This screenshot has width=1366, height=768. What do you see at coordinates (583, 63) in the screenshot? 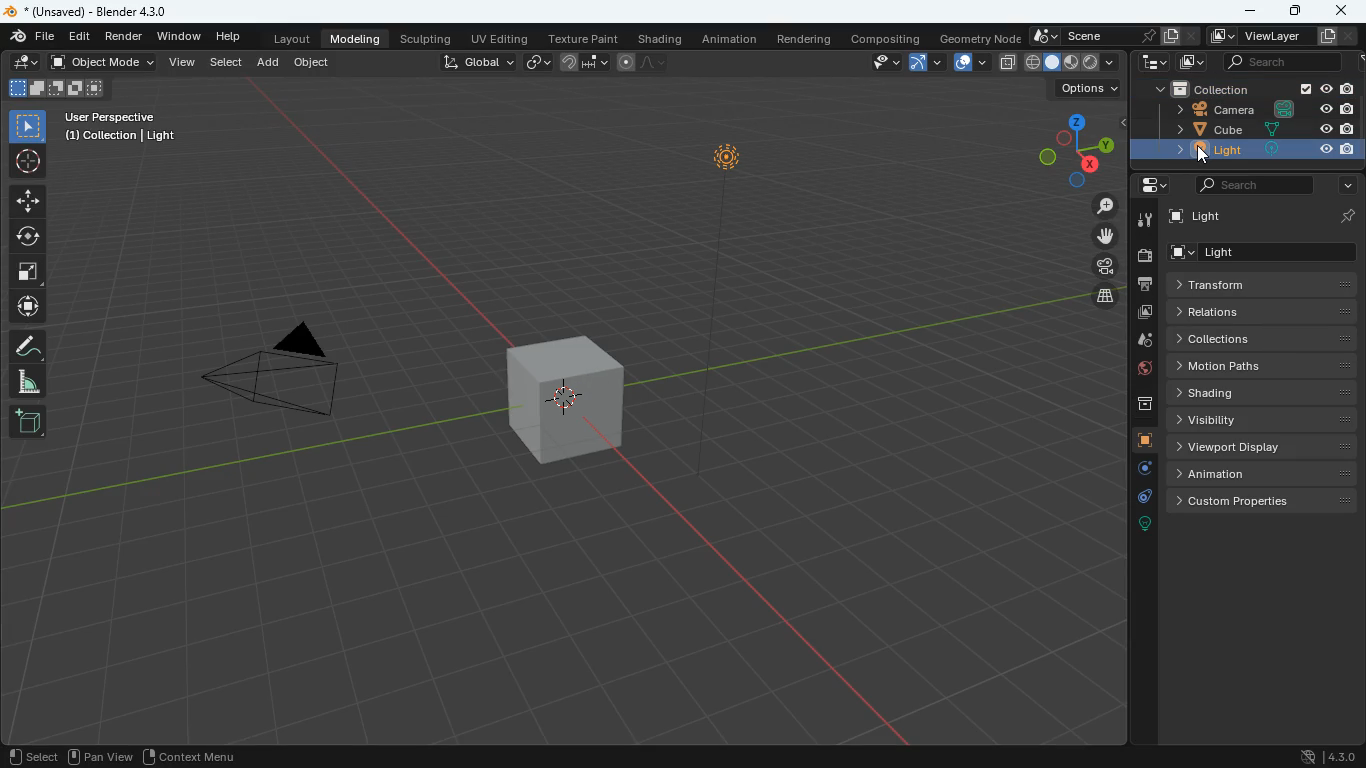
I see `join` at bounding box center [583, 63].